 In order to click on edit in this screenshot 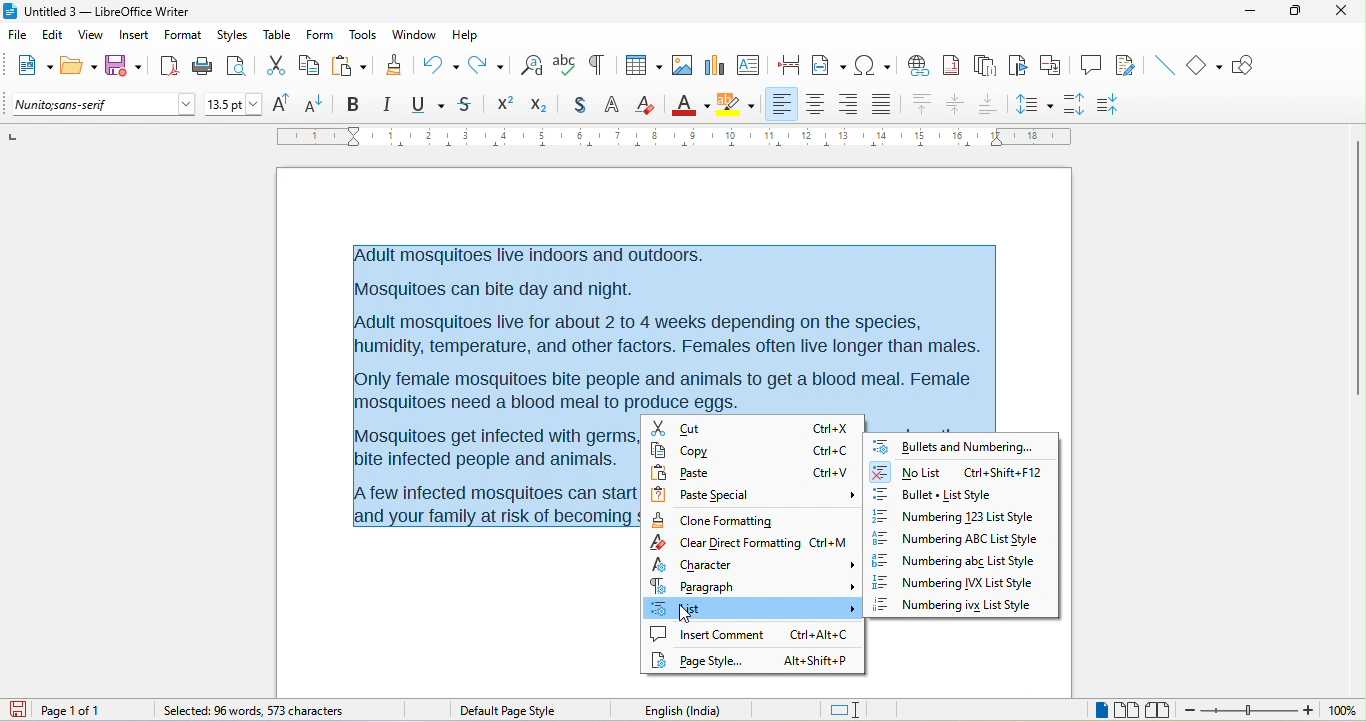, I will do `click(53, 36)`.